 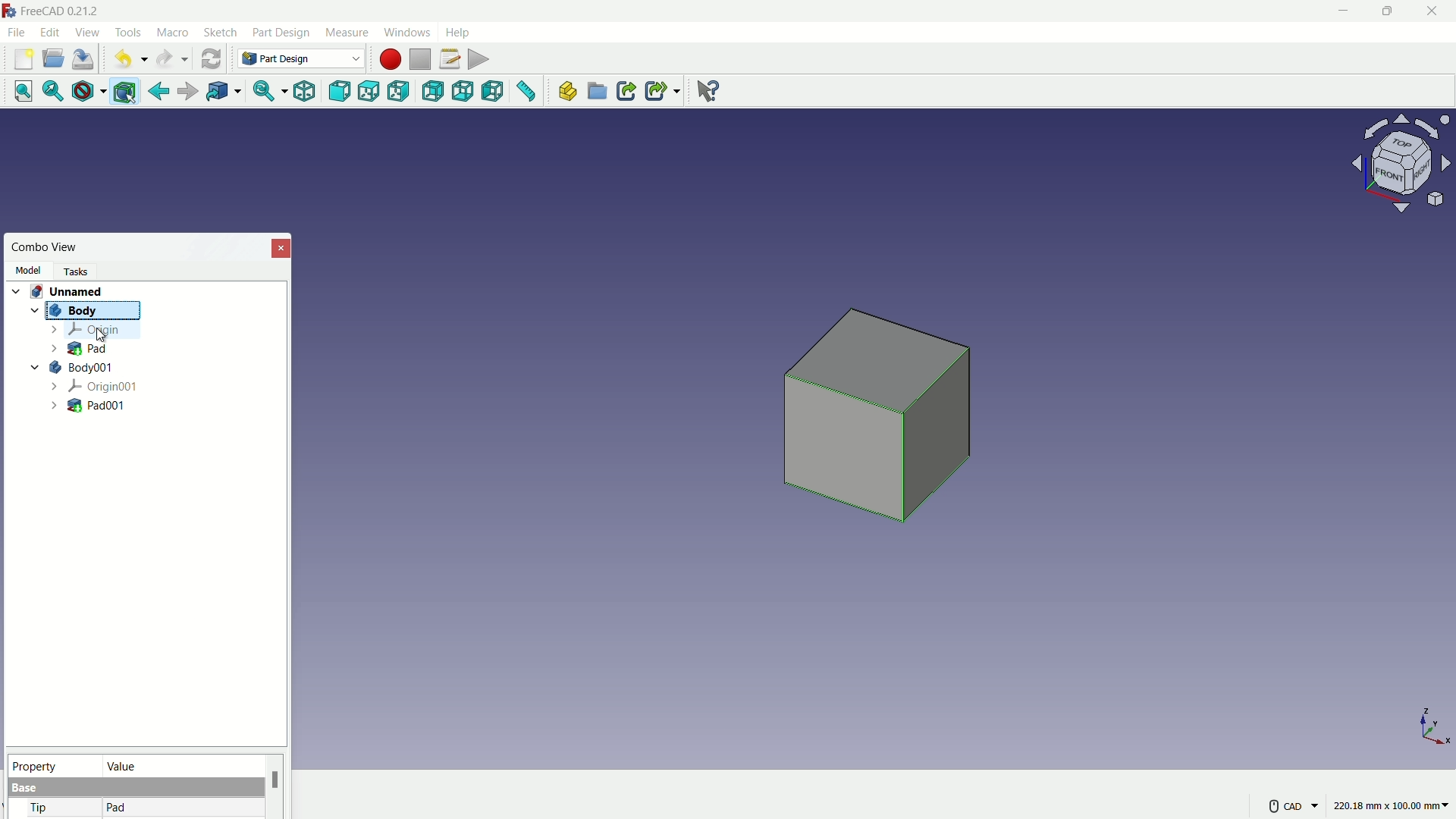 I want to click on go to linked object, so click(x=222, y=93).